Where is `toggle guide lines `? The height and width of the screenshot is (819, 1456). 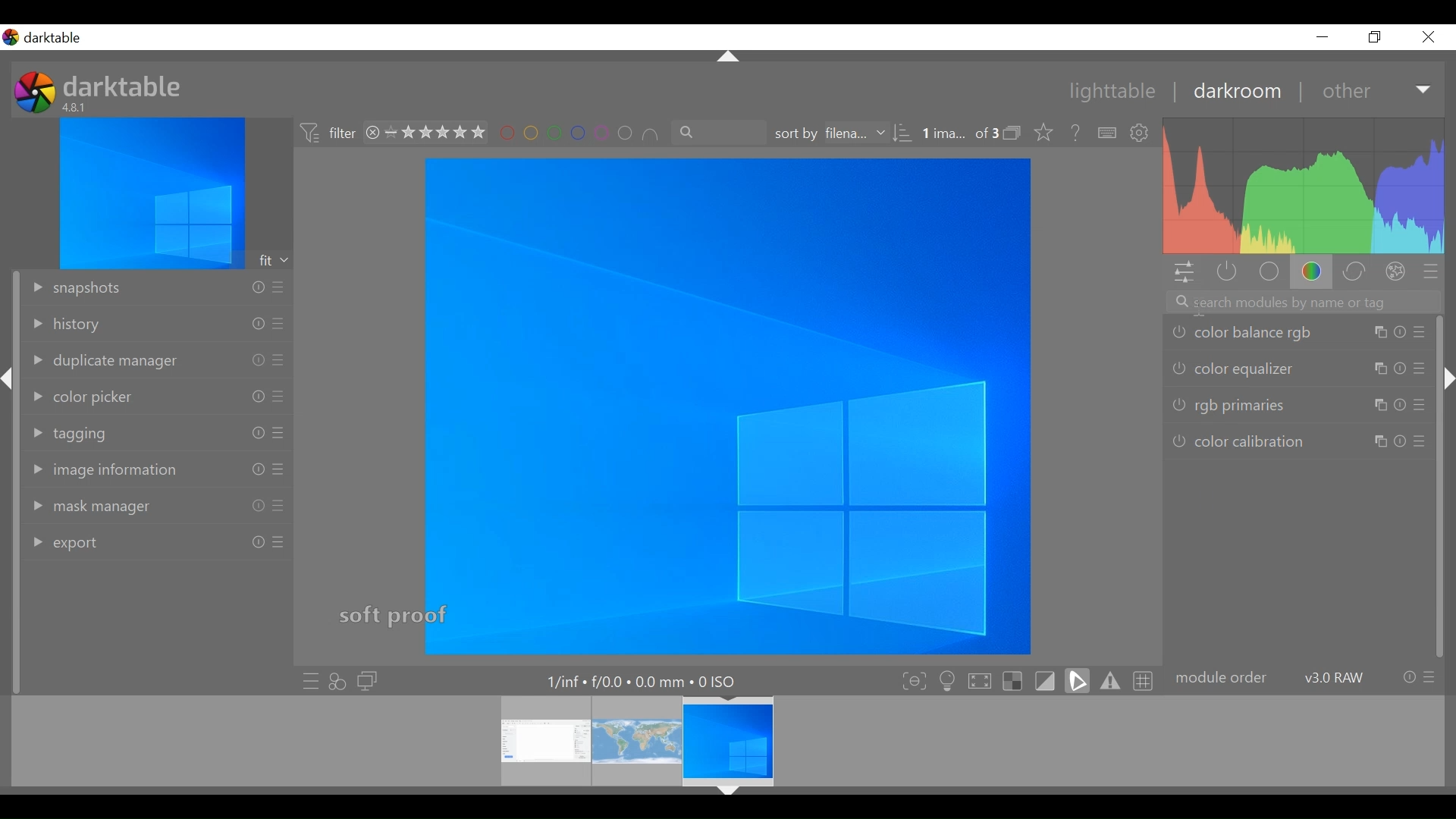 toggle guide lines  is located at coordinates (1144, 681).